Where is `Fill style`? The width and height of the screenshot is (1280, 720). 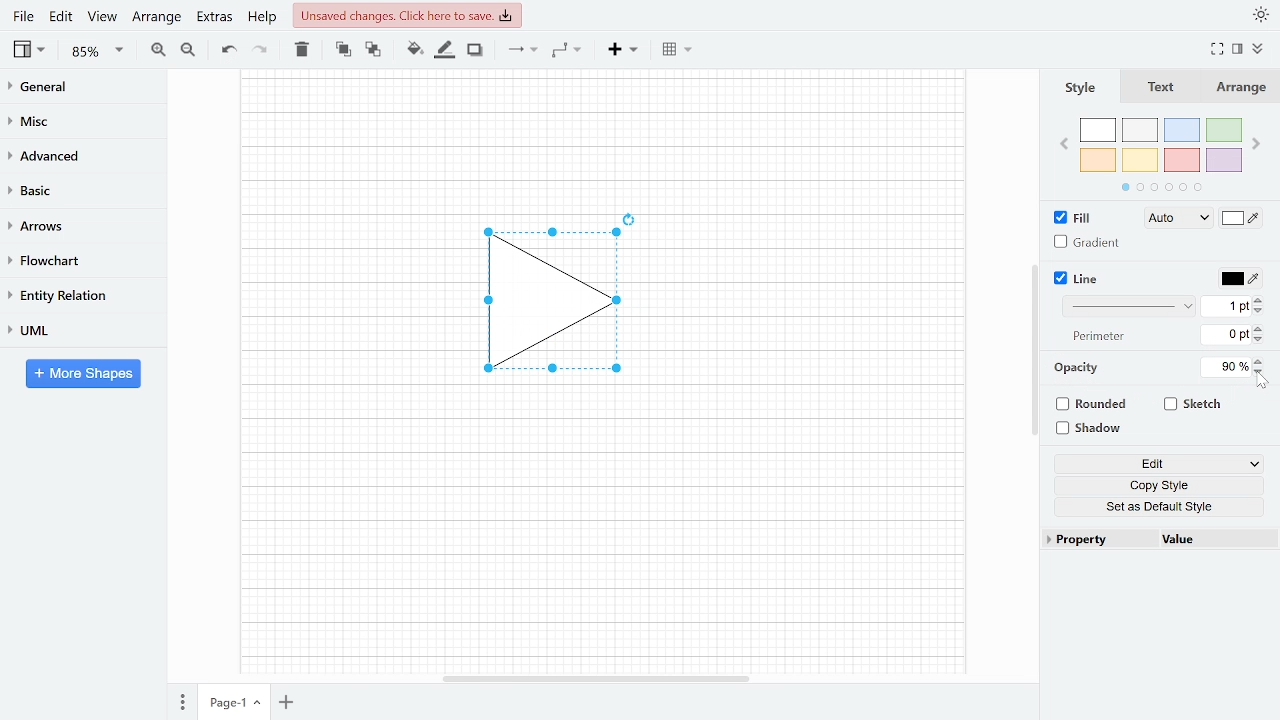 Fill style is located at coordinates (1174, 219).